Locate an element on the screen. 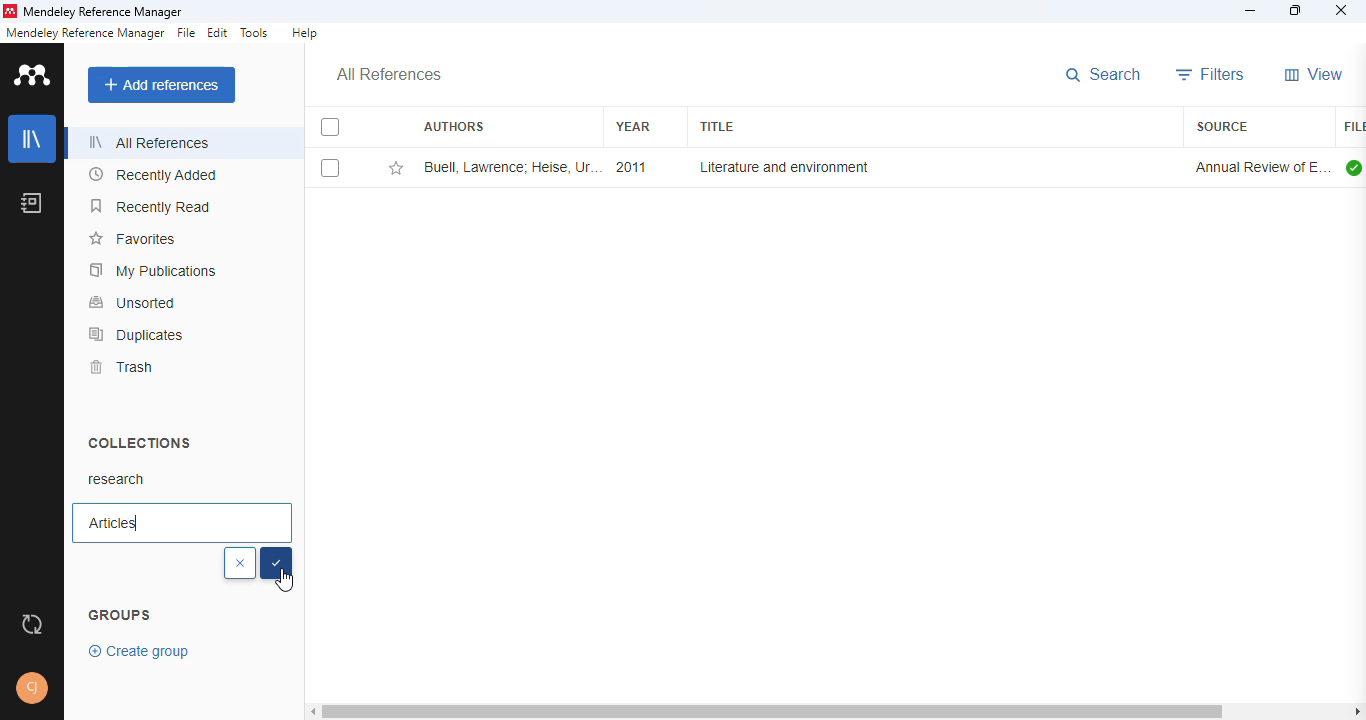  maximize is located at coordinates (1297, 10).